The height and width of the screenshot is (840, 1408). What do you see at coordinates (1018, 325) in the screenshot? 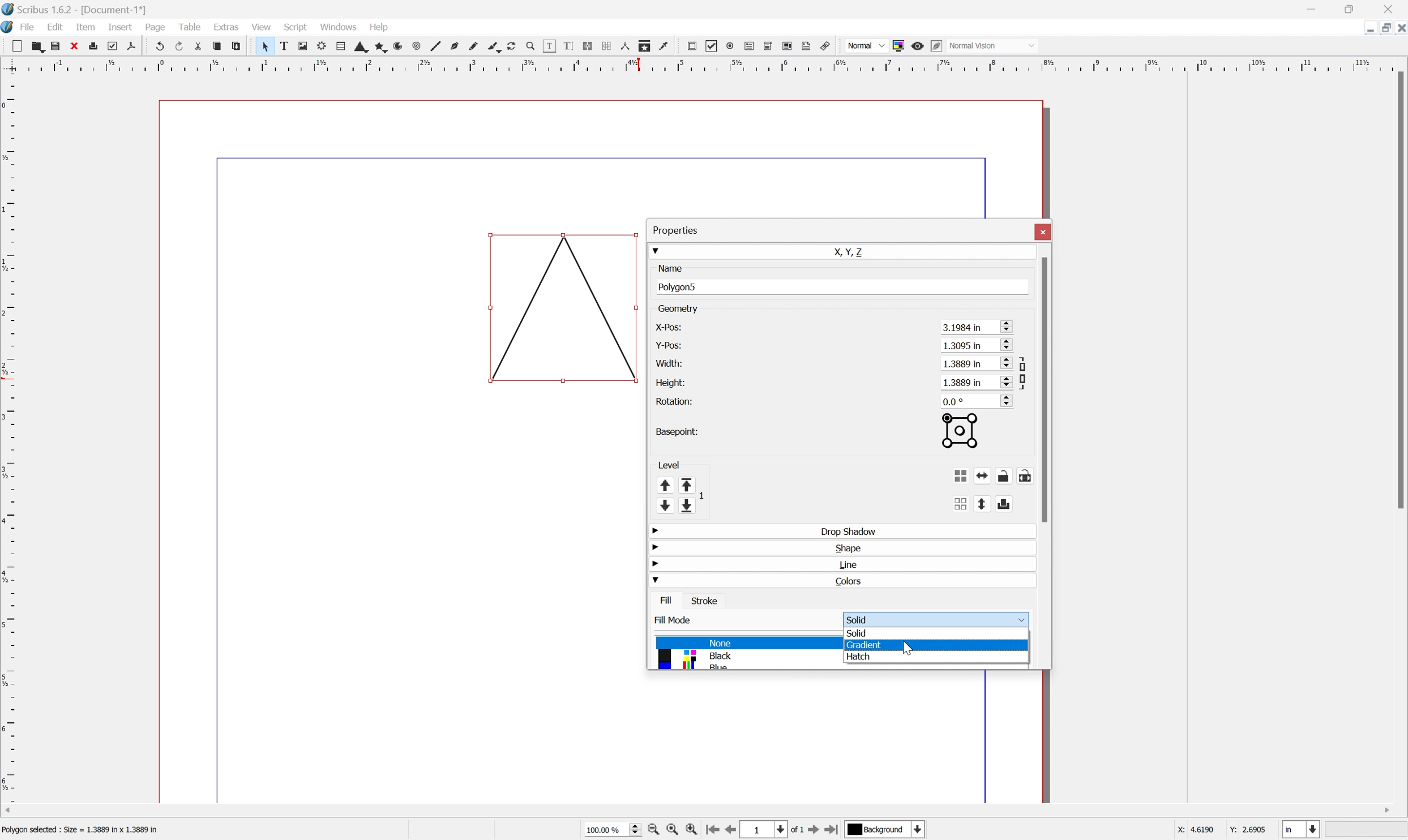
I see `Scroll` at bounding box center [1018, 325].